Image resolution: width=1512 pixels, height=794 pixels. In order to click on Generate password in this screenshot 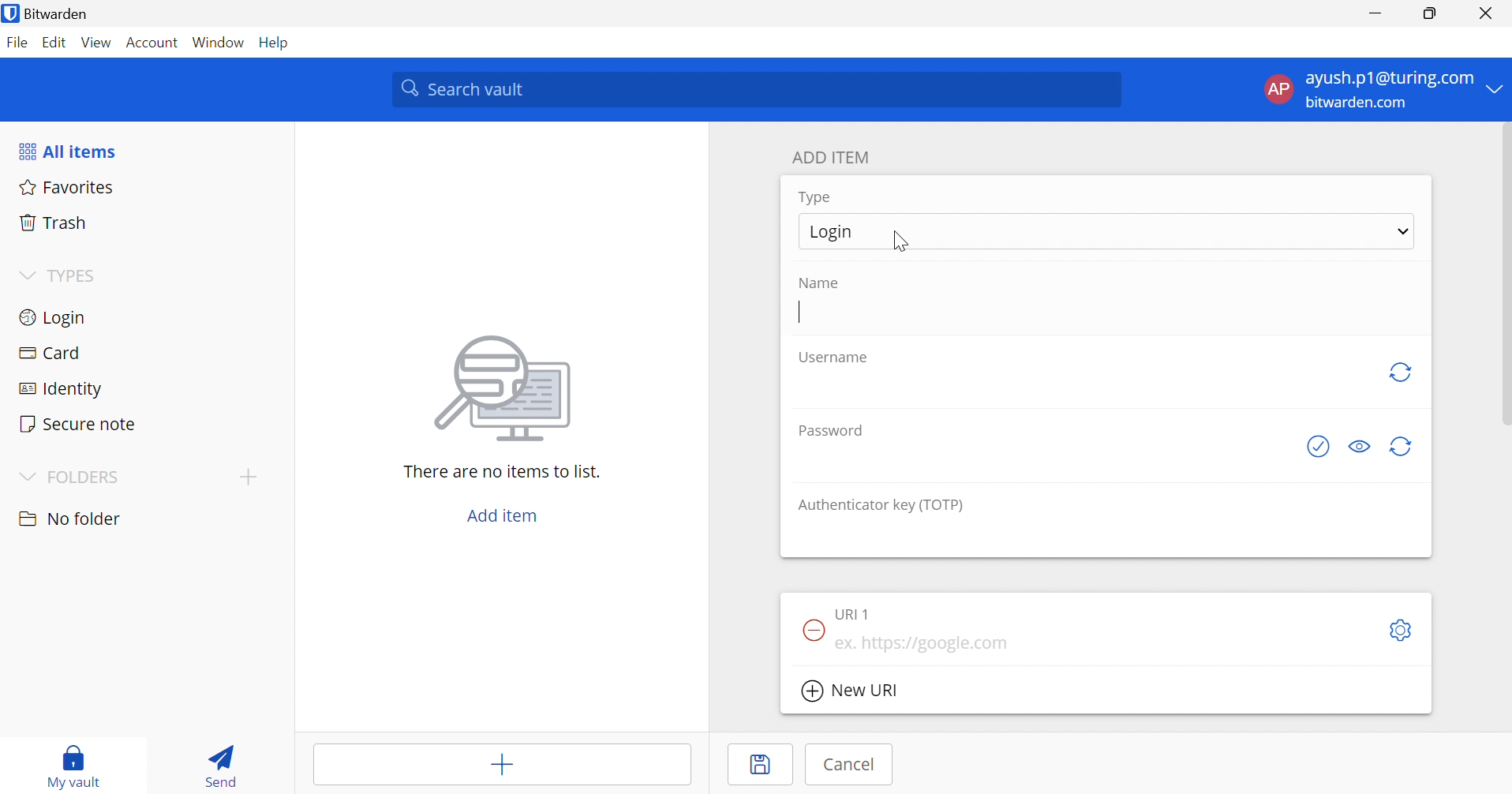, I will do `click(1402, 448)`.